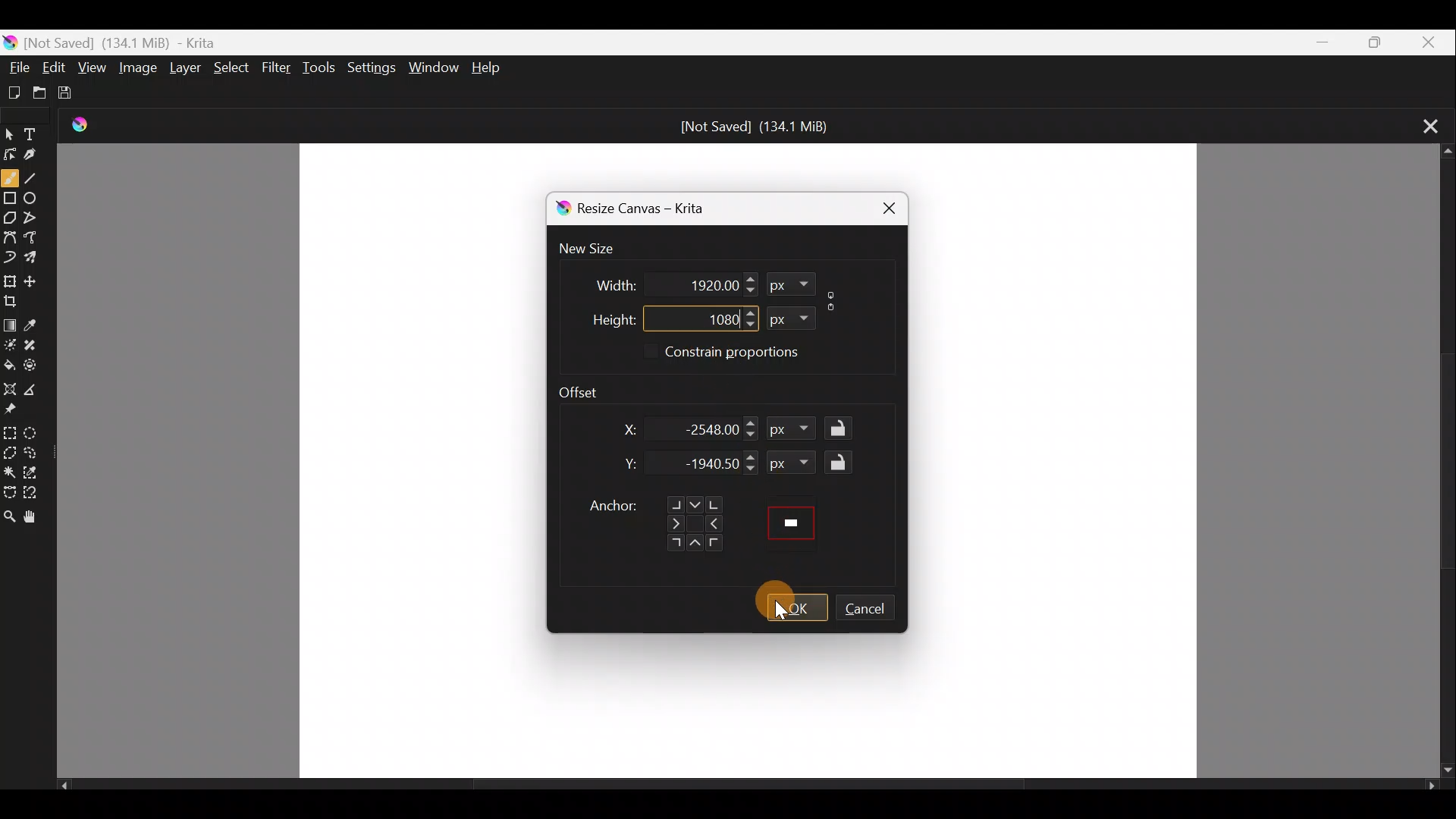 Image resolution: width=1456 pixels, height=819 pixels. I want to click on Increase height, so click(748, 312).